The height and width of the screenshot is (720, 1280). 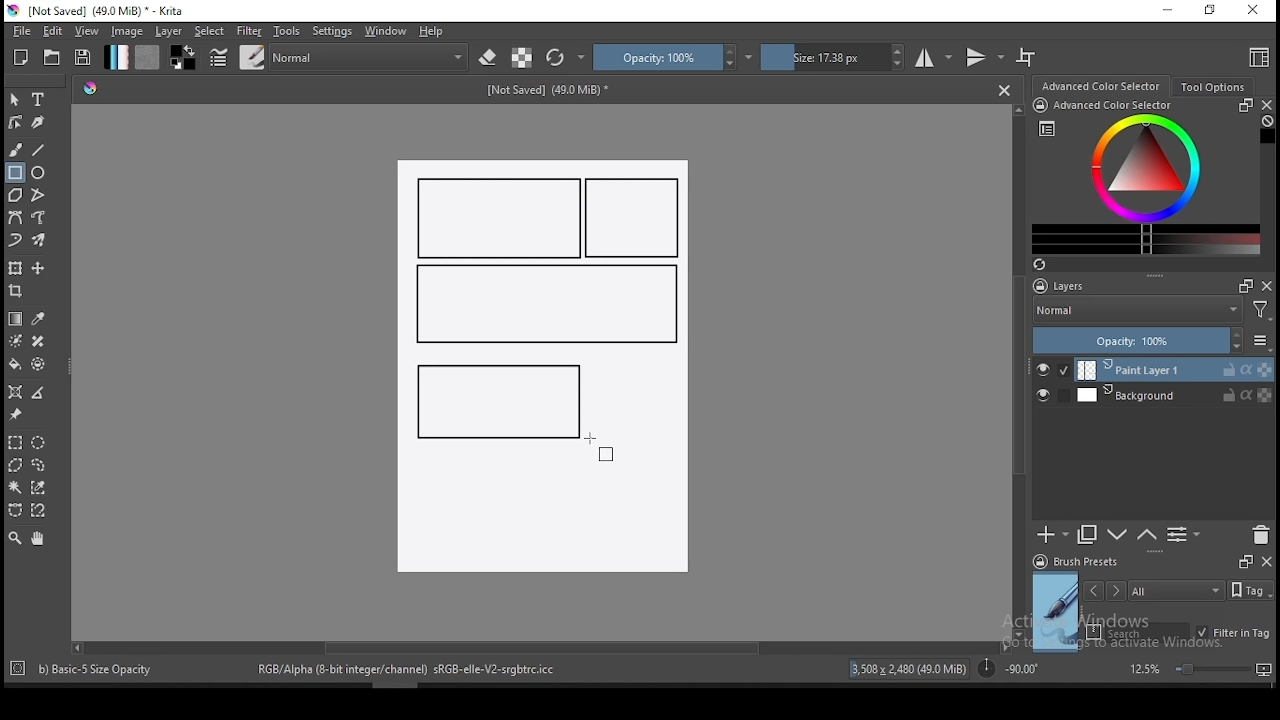 I want to click on image, so click(x=126, y=31).